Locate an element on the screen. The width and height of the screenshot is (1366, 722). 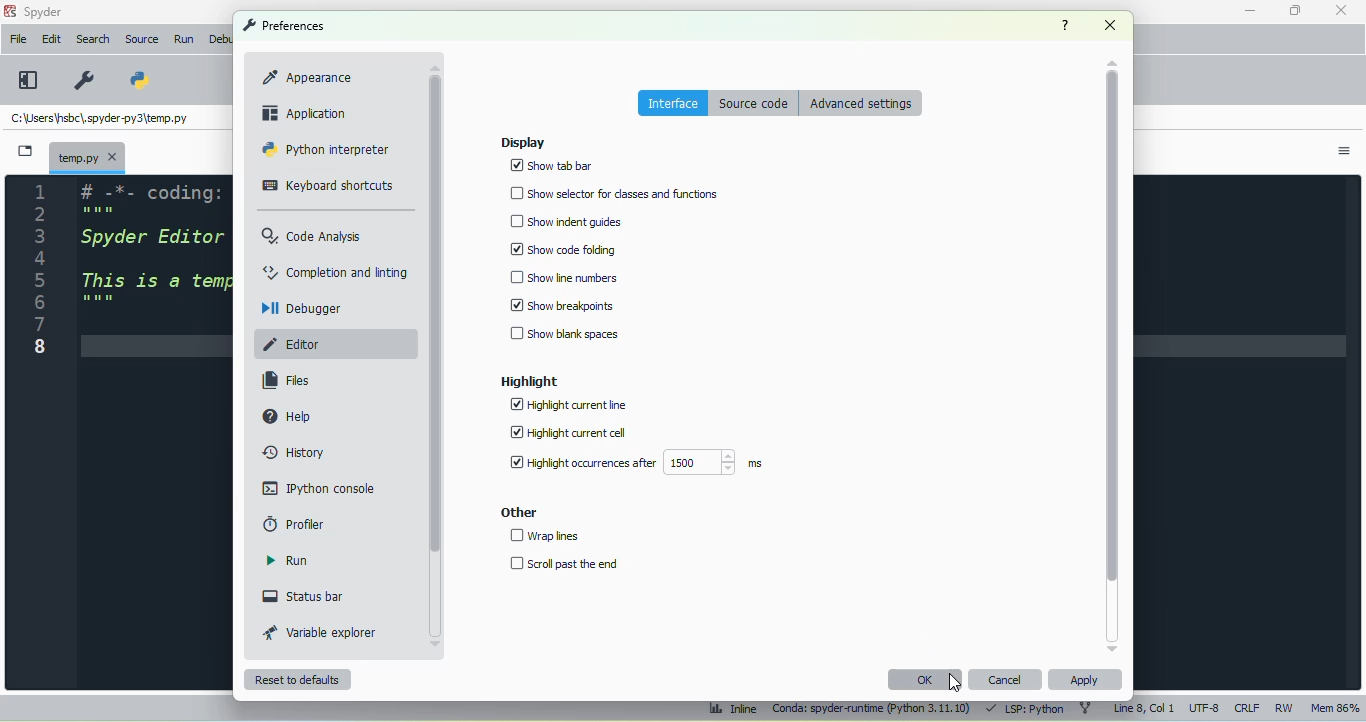
IPython console is located at coordinates (319, 488).